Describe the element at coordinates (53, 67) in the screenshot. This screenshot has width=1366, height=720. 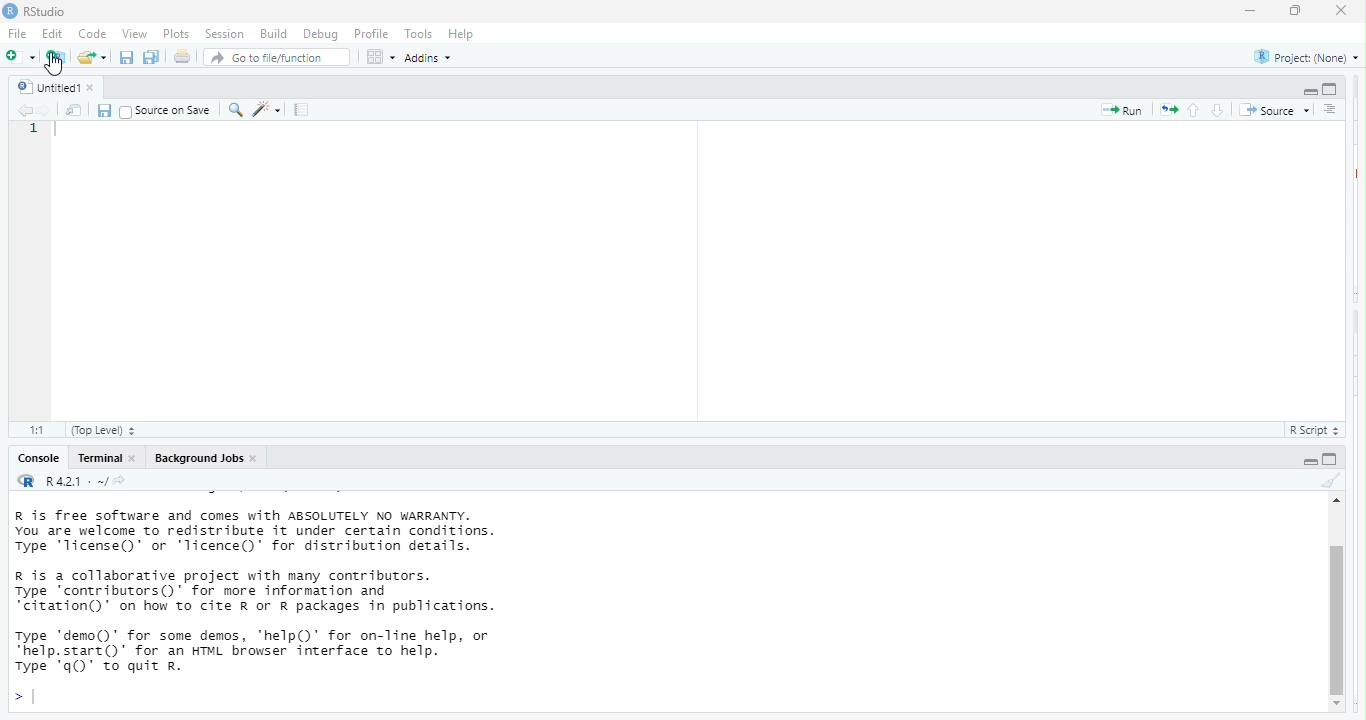
I see `cursor` at that location.